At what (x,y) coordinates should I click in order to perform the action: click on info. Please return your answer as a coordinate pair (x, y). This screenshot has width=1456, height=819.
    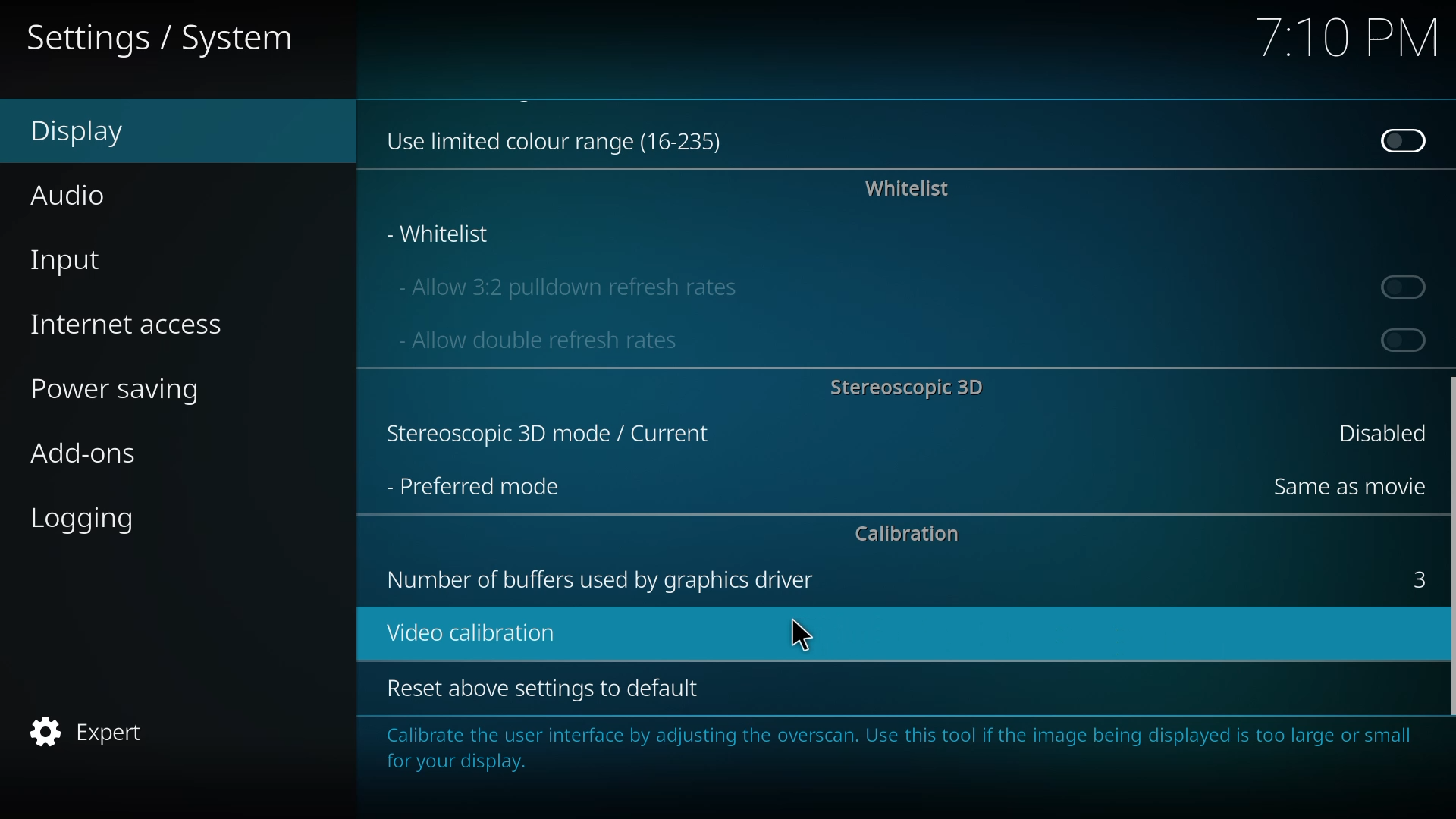
    Looking at the image, I should click on (899, 752).